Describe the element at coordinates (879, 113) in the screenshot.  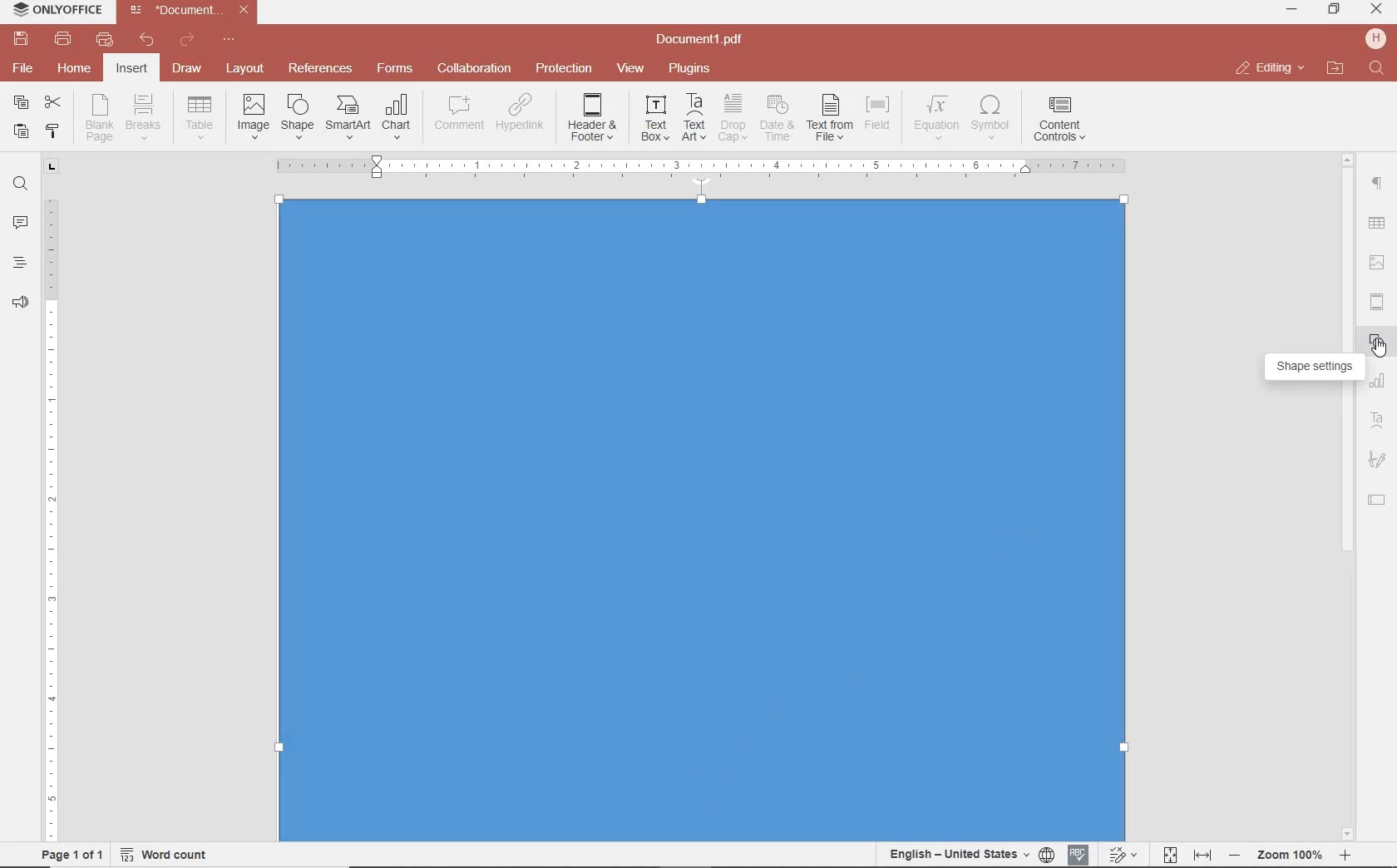
I see `INSERT FIELD` at that location.